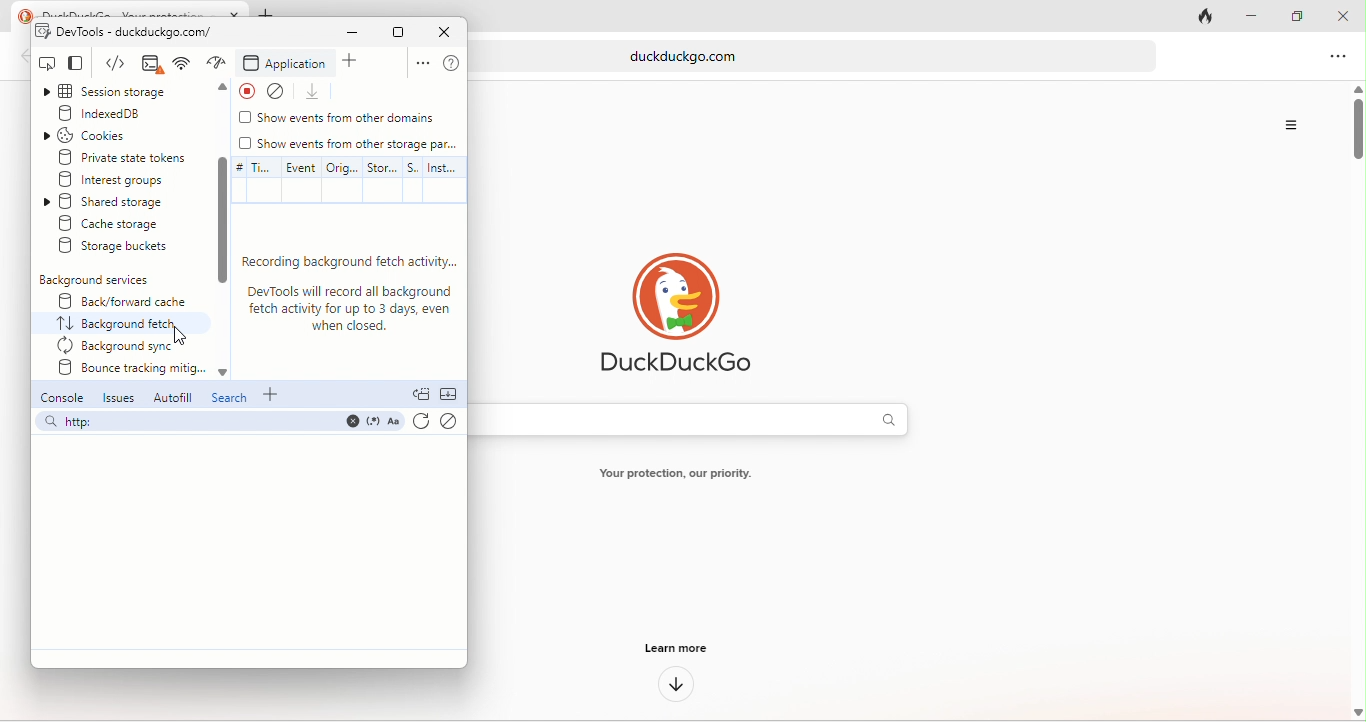  I want to click on private state tokens, so click(123, 156).